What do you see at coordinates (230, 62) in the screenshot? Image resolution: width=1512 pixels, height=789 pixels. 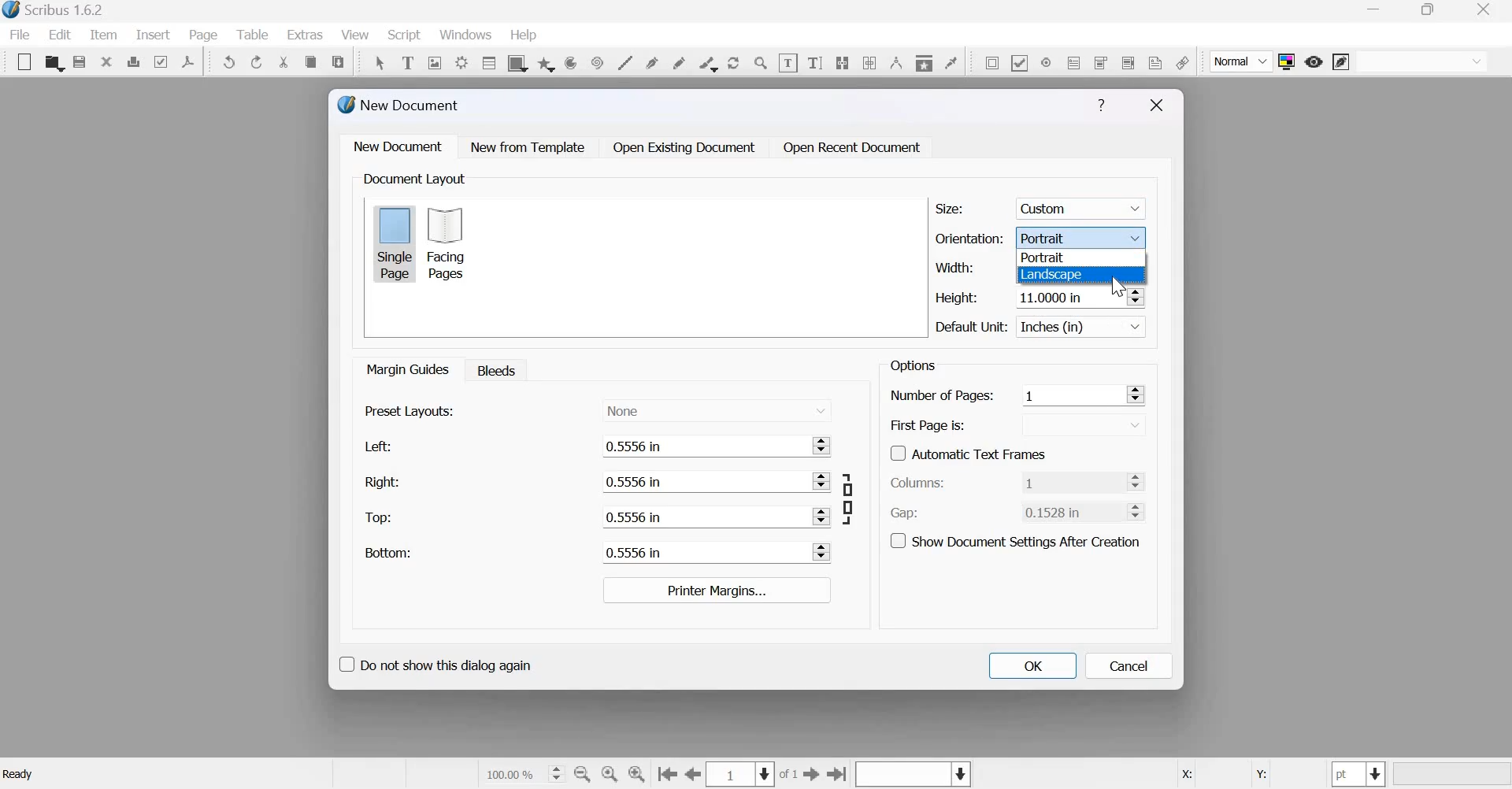 I see `Undo` at bounding box center [230, 62].